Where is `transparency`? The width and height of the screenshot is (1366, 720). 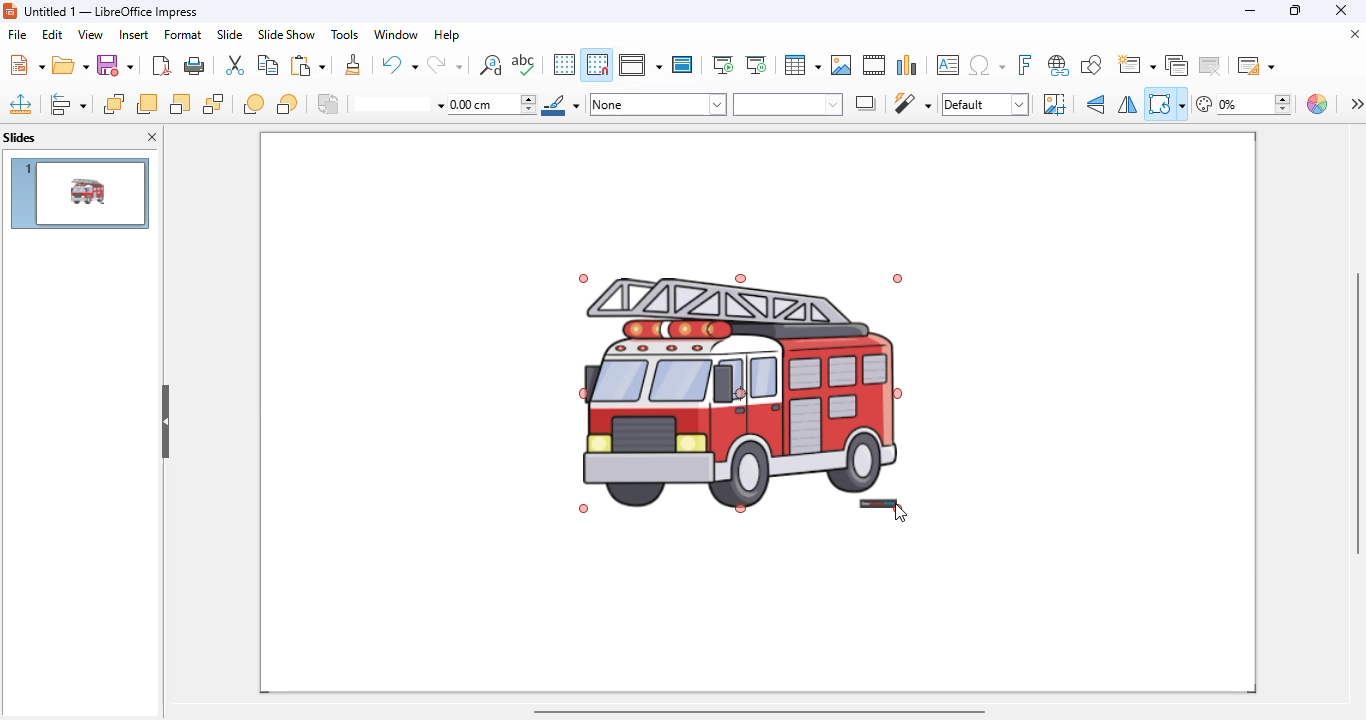
transparency is located at coordinates (1244, 104).